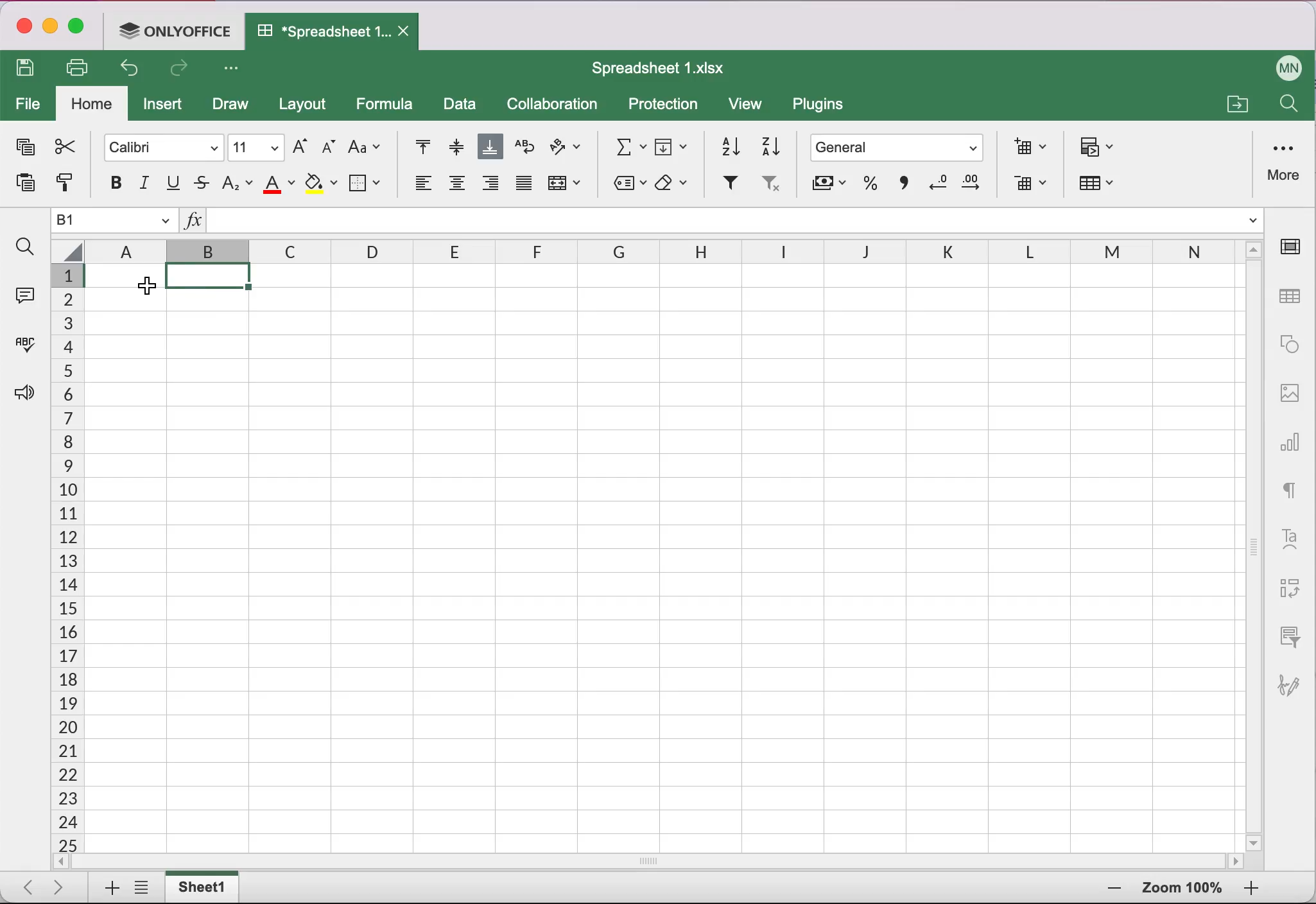 The height and width of the screenshot is (904, 1316). Describe the element at coordinates (461, 106) in the screenshot. I see `data` at that location.